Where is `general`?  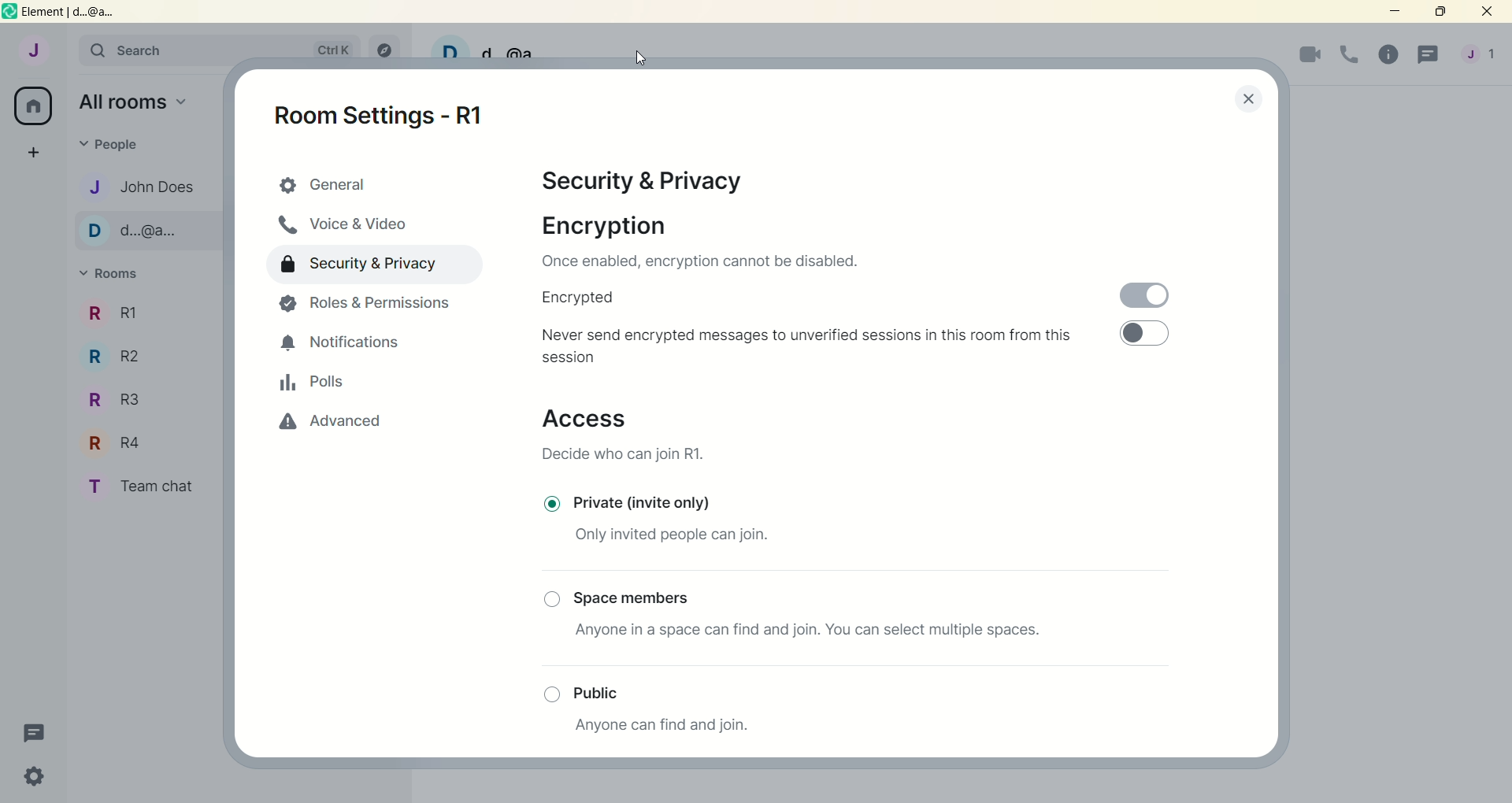
general is located at coordinates (376, 187).